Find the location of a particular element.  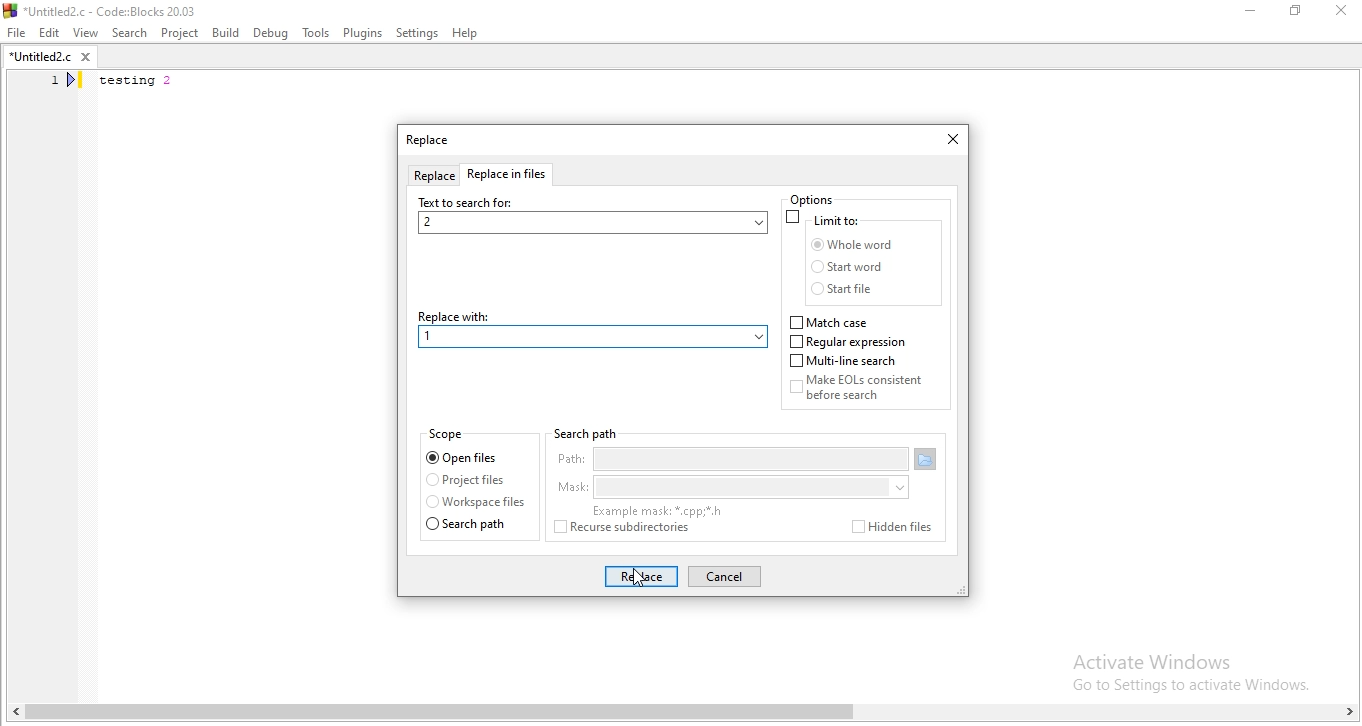

multi-line search is located at coordinates (847, 362).